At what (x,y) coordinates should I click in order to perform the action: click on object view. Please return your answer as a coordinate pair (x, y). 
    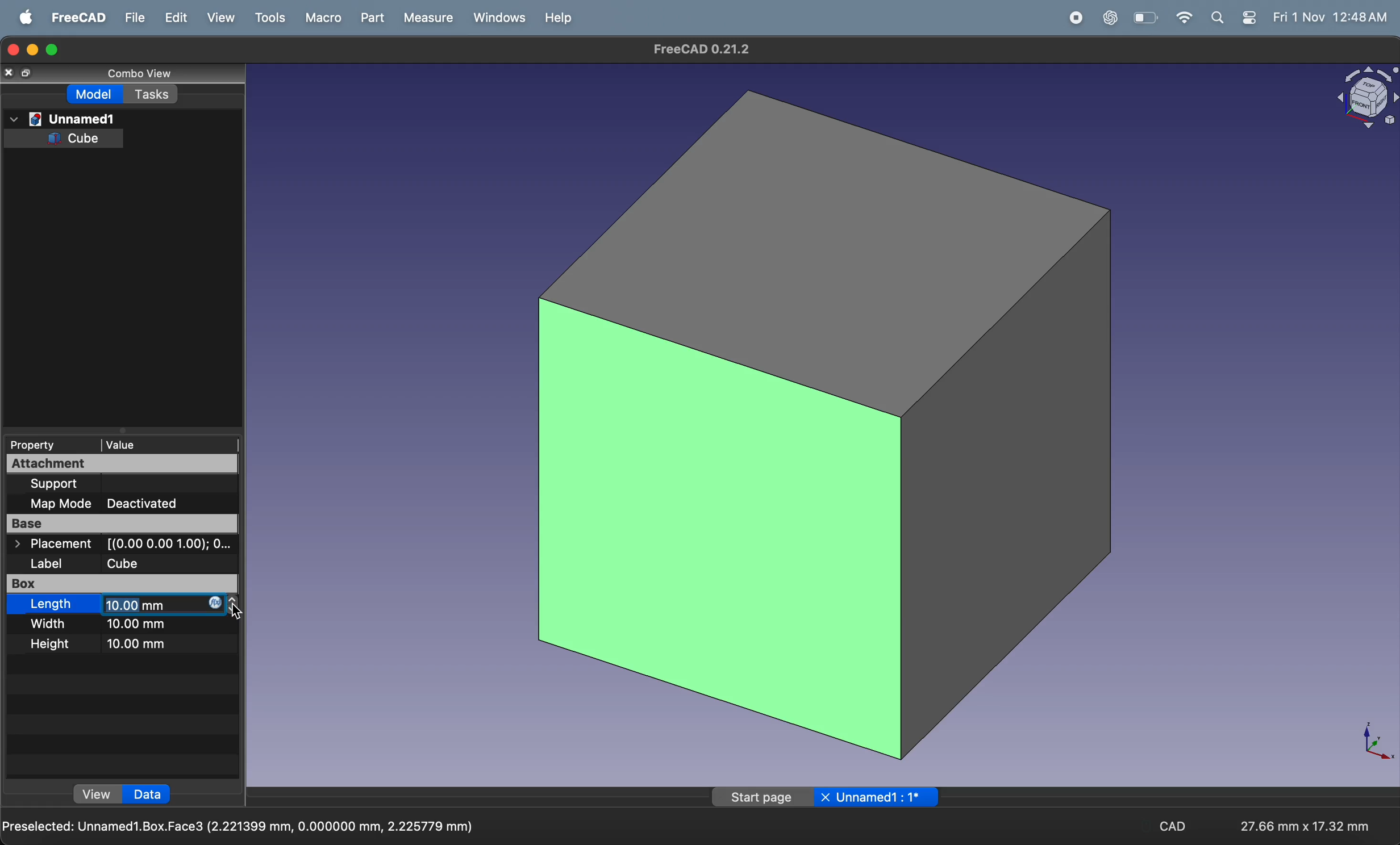
    Looking at the image, I should click on (1364, 101).